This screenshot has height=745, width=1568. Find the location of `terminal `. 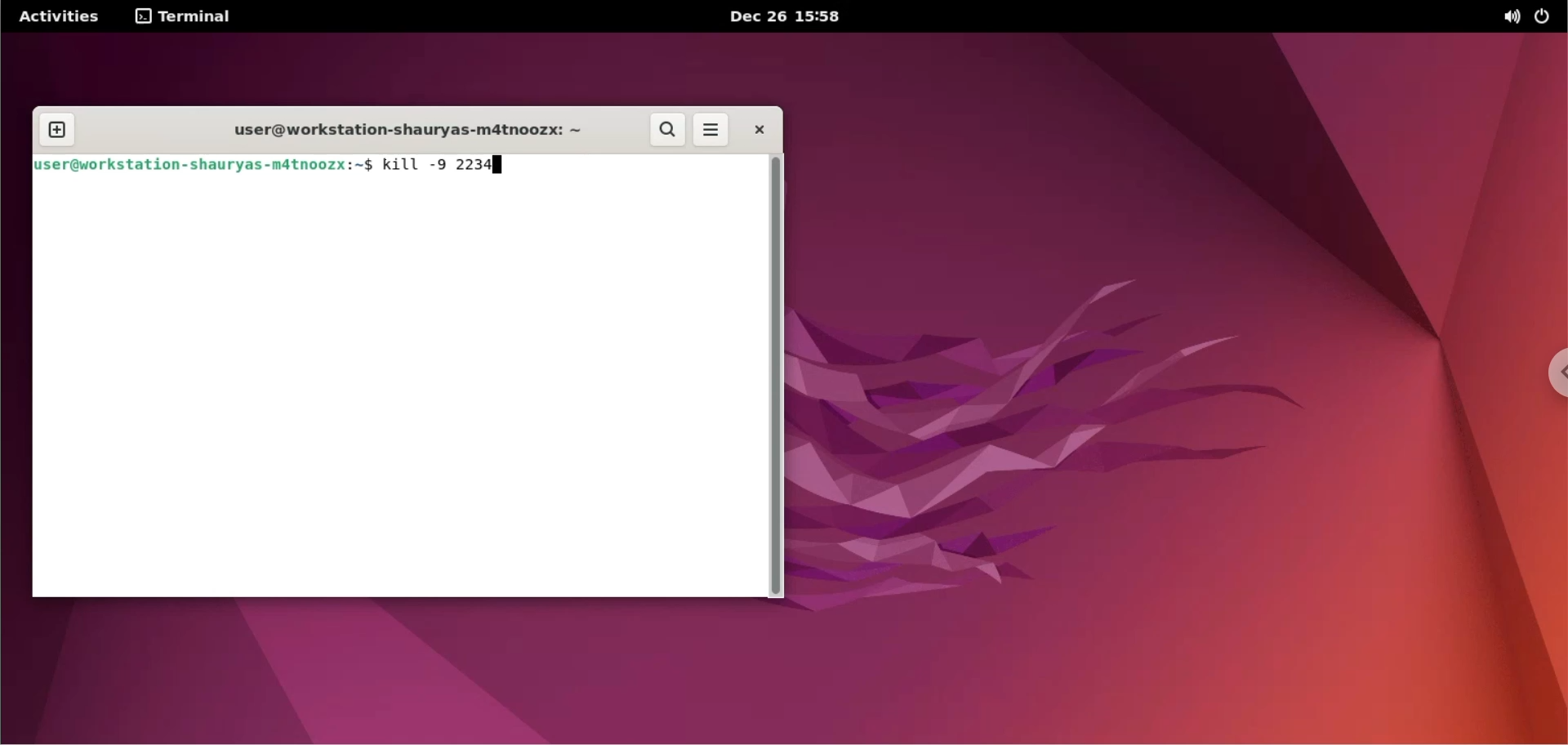

terminal  is located at coordinates (185, 16).